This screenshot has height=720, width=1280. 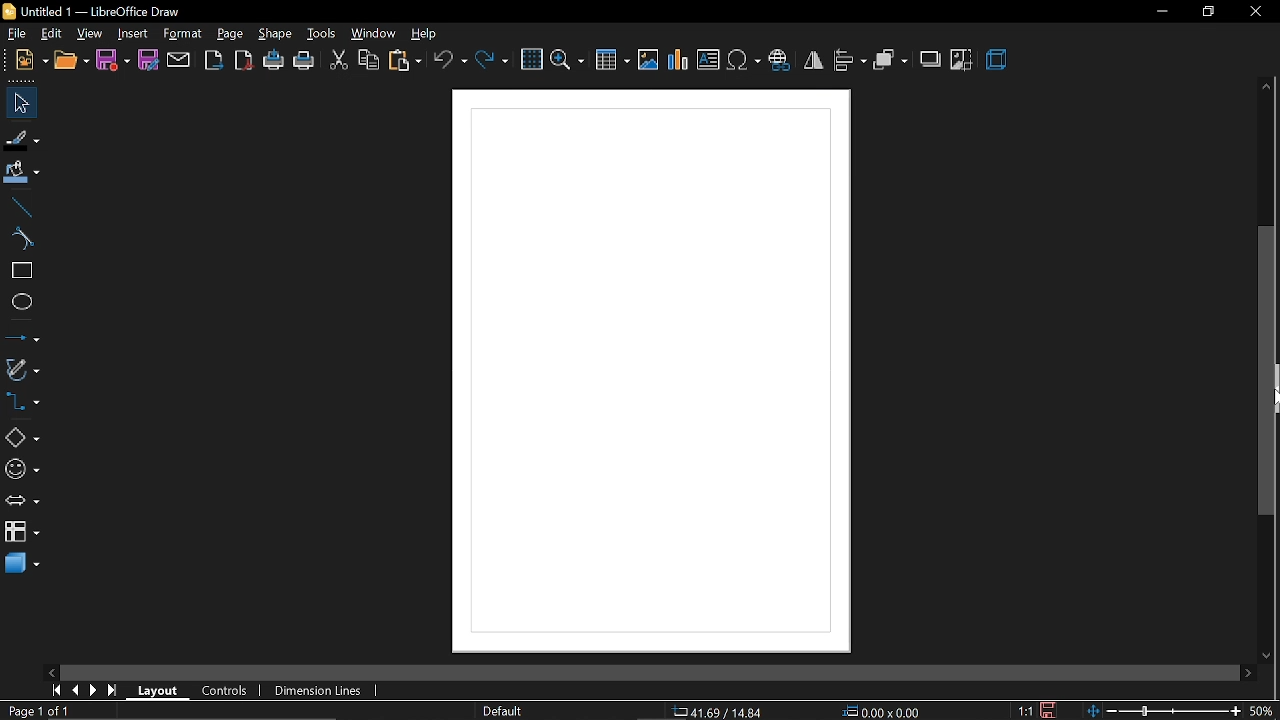 What do you see at coordinates (1268, 87) in the screenshot?
I see `move up` at bounding box center [1268, 87].